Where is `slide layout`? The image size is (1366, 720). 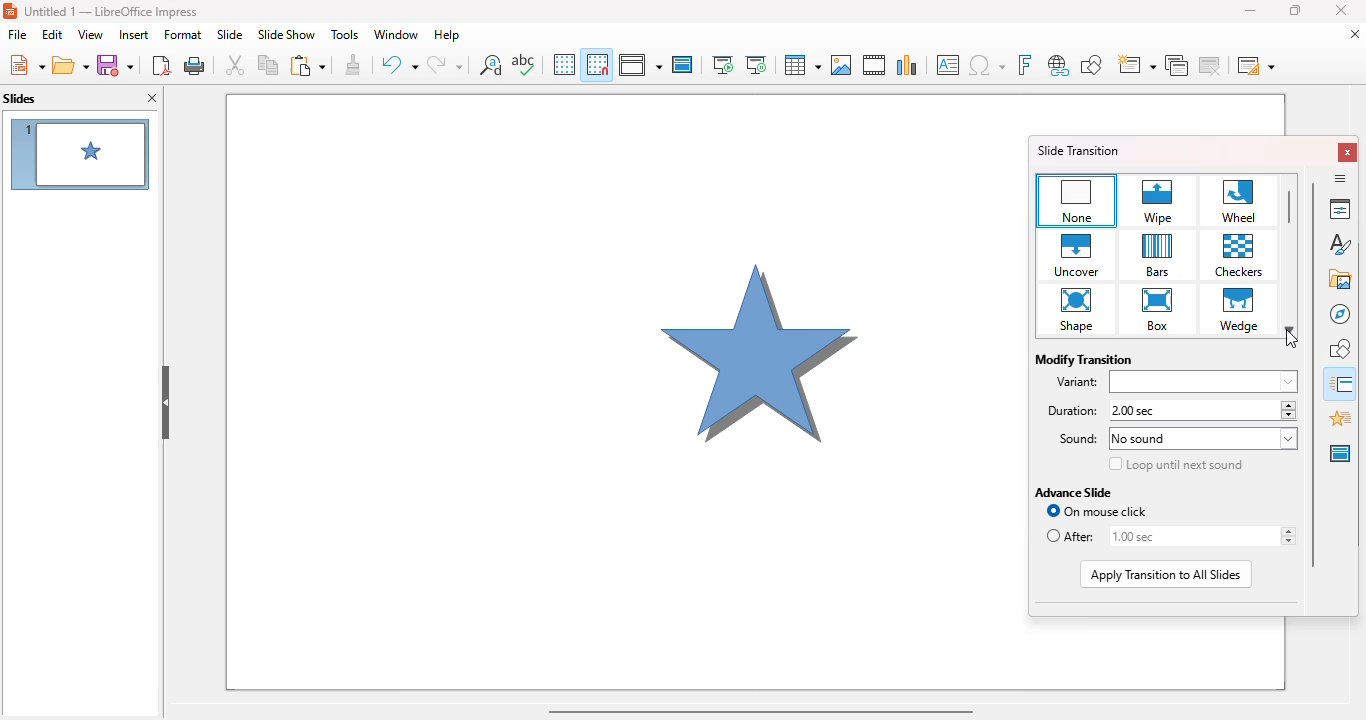
slide layout is located at coordinates (1256, 65).